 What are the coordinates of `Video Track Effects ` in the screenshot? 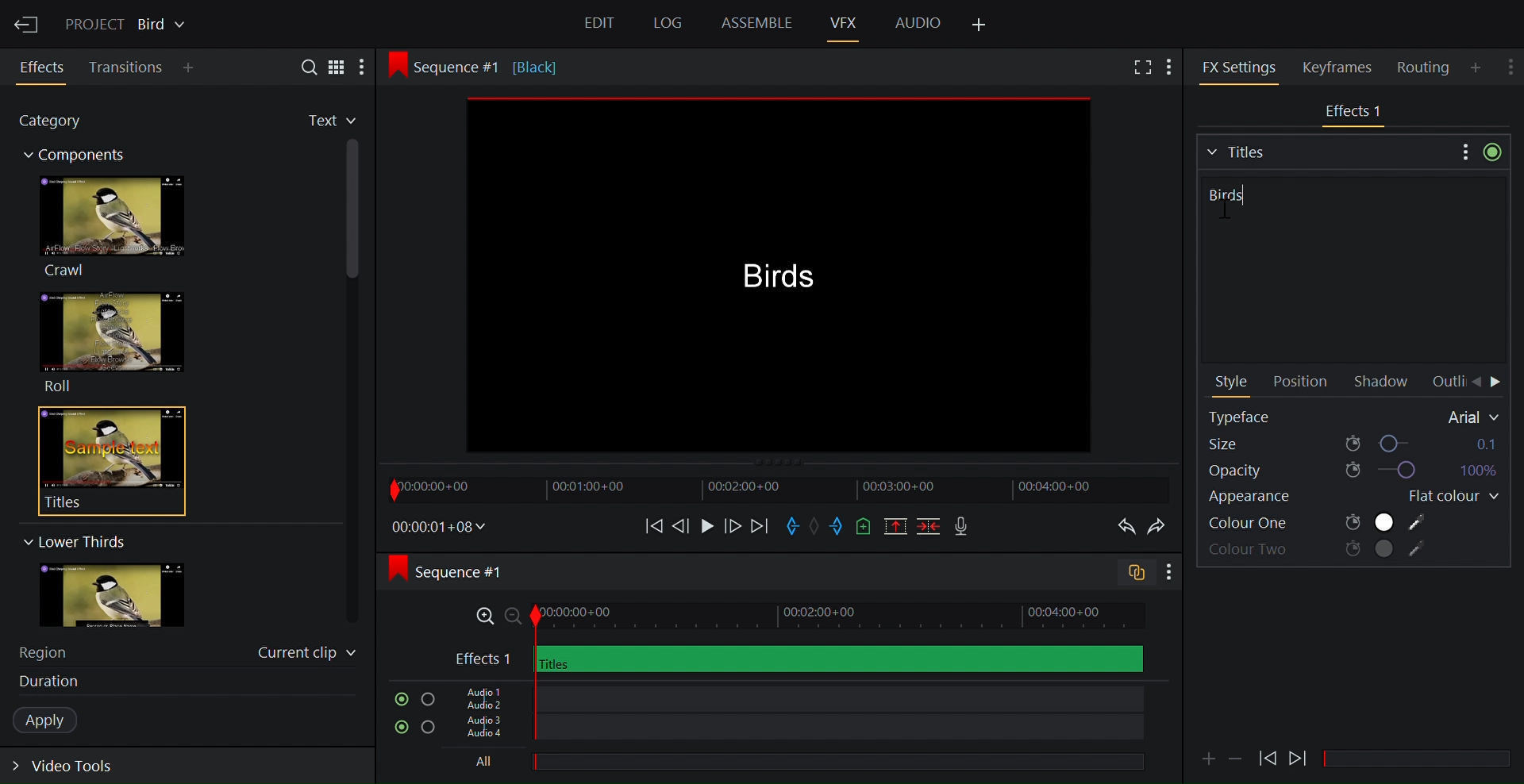 It's located at (1355, 113).